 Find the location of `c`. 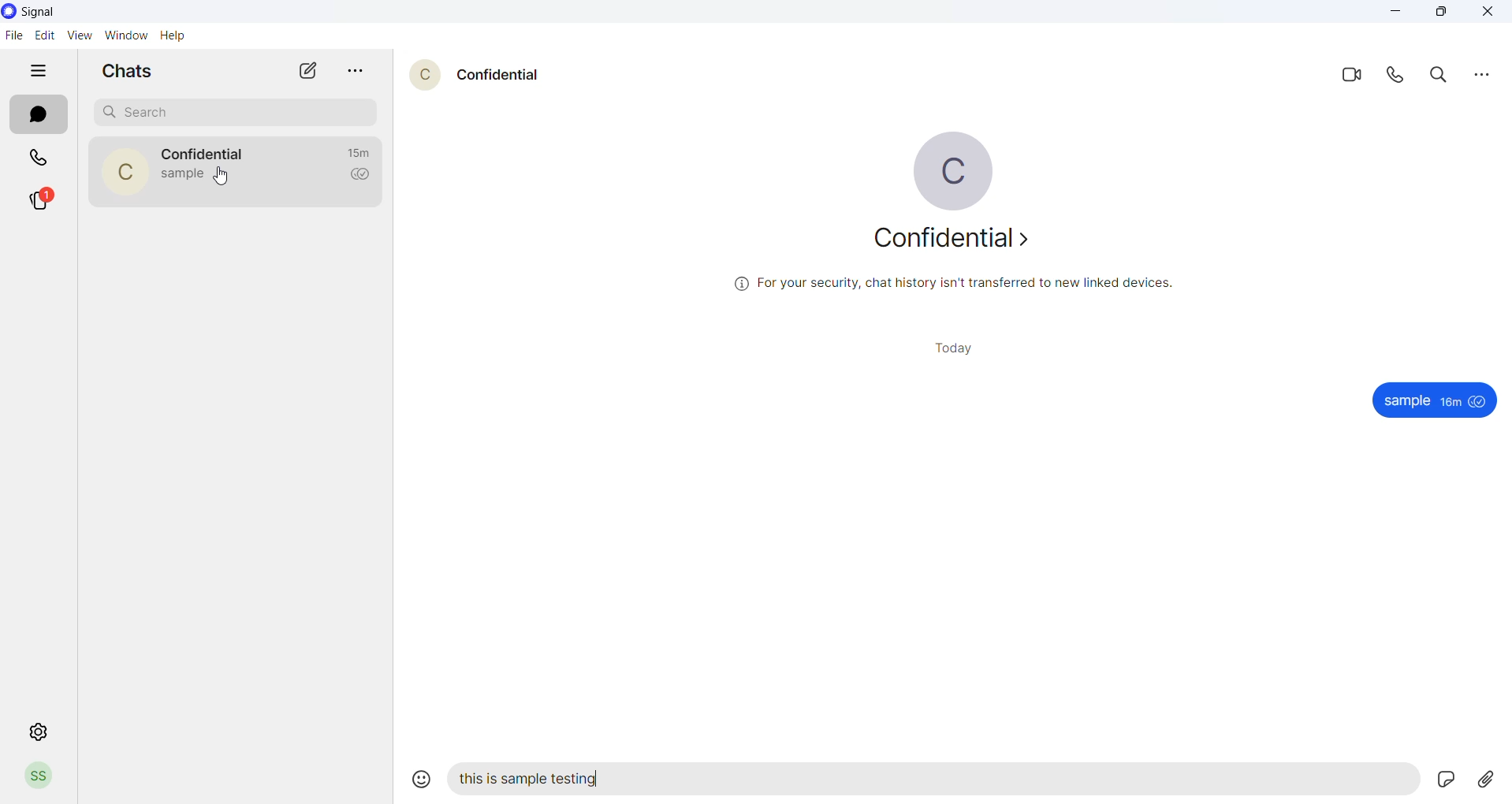

c is located at coordinates (425, 74).